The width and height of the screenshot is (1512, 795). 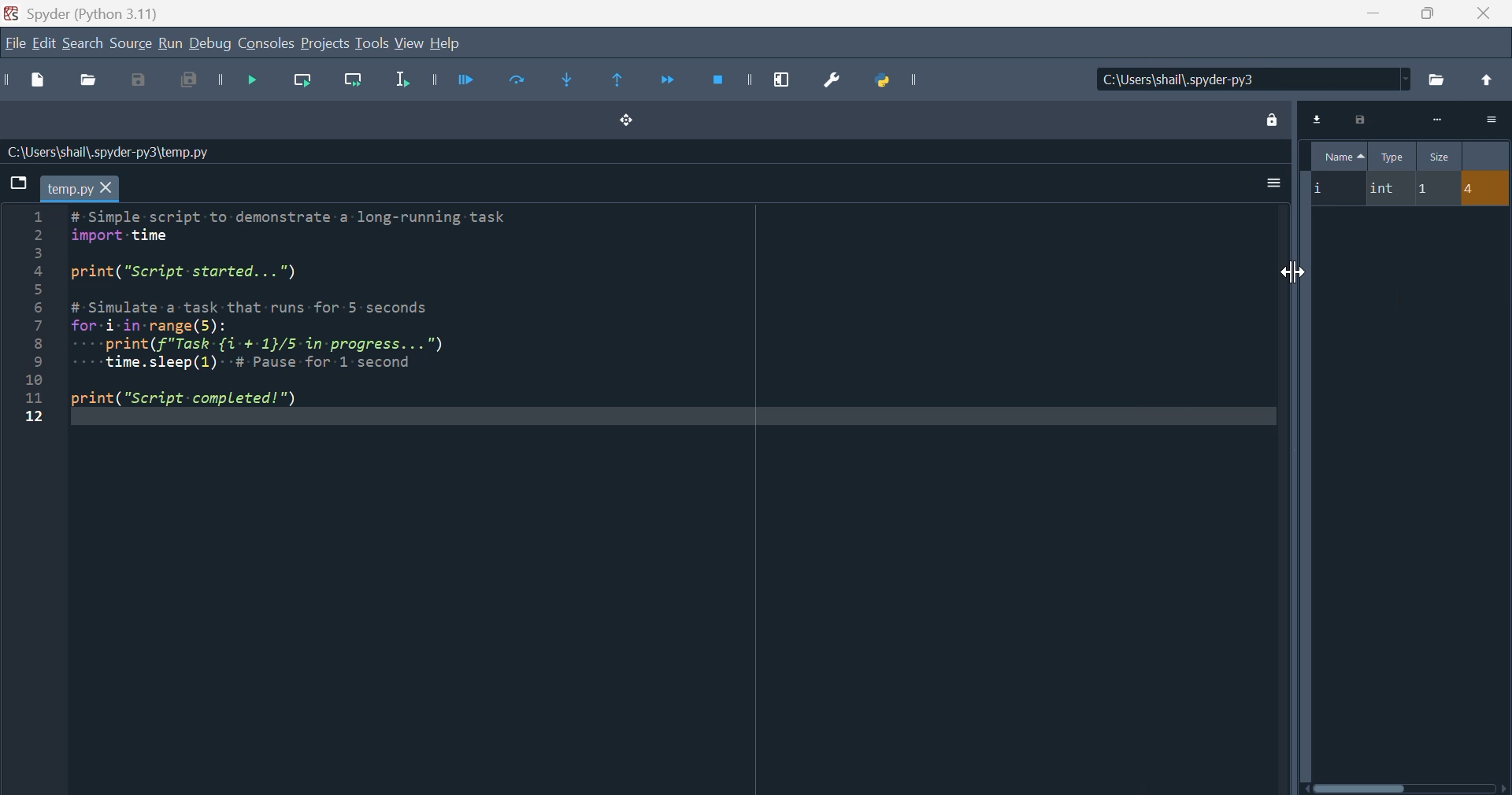 I want to click on C:\Users\shail\.spyder-py3, so click(x=1253, y=80).